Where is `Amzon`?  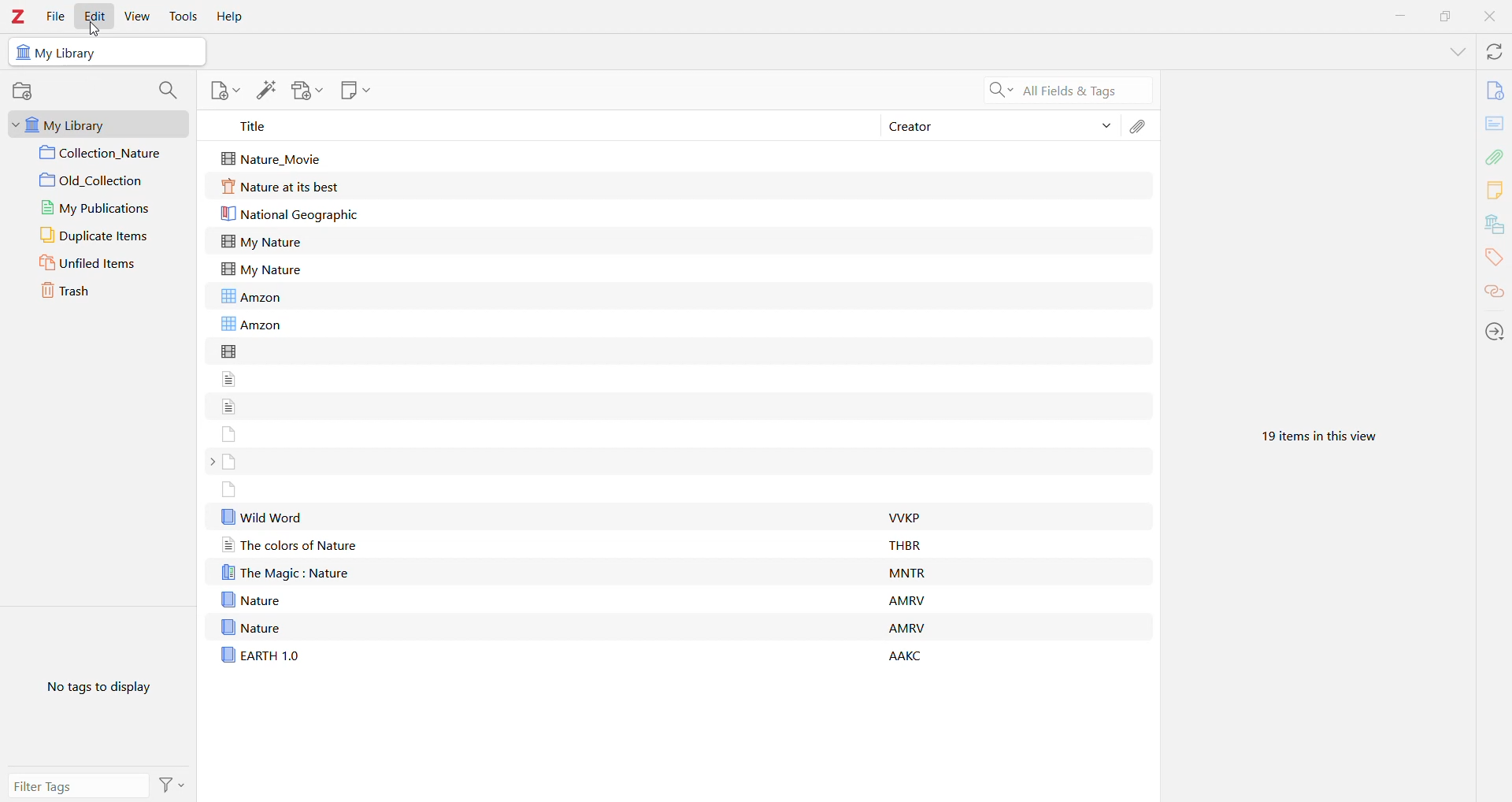 Amzon is located at coordinates (252, 325).